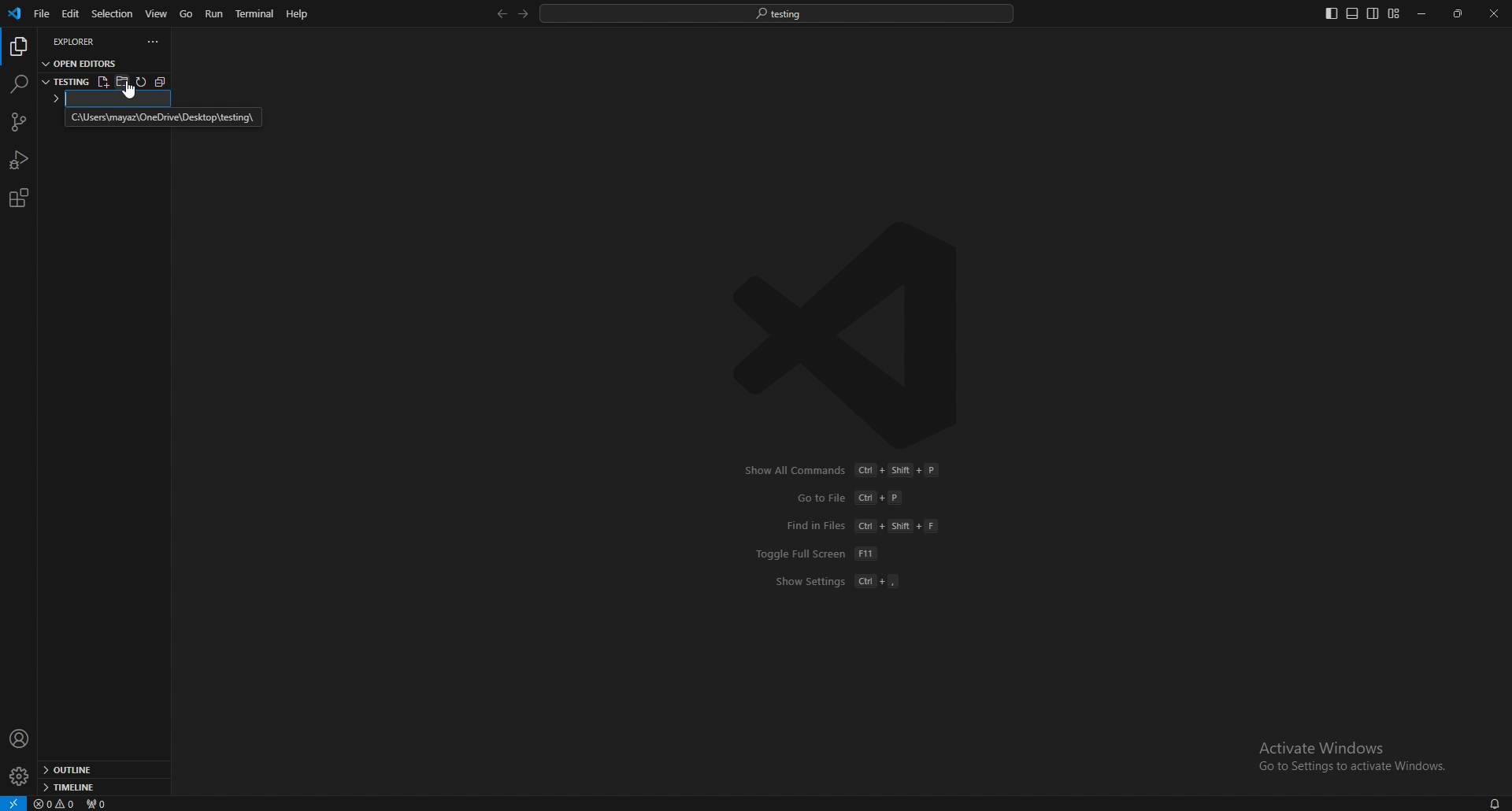 The image size is (1512, 811). What do you see at coordinates (165, 81) in the screenshot?
I see `collapse` at bounding box center [165, 81].